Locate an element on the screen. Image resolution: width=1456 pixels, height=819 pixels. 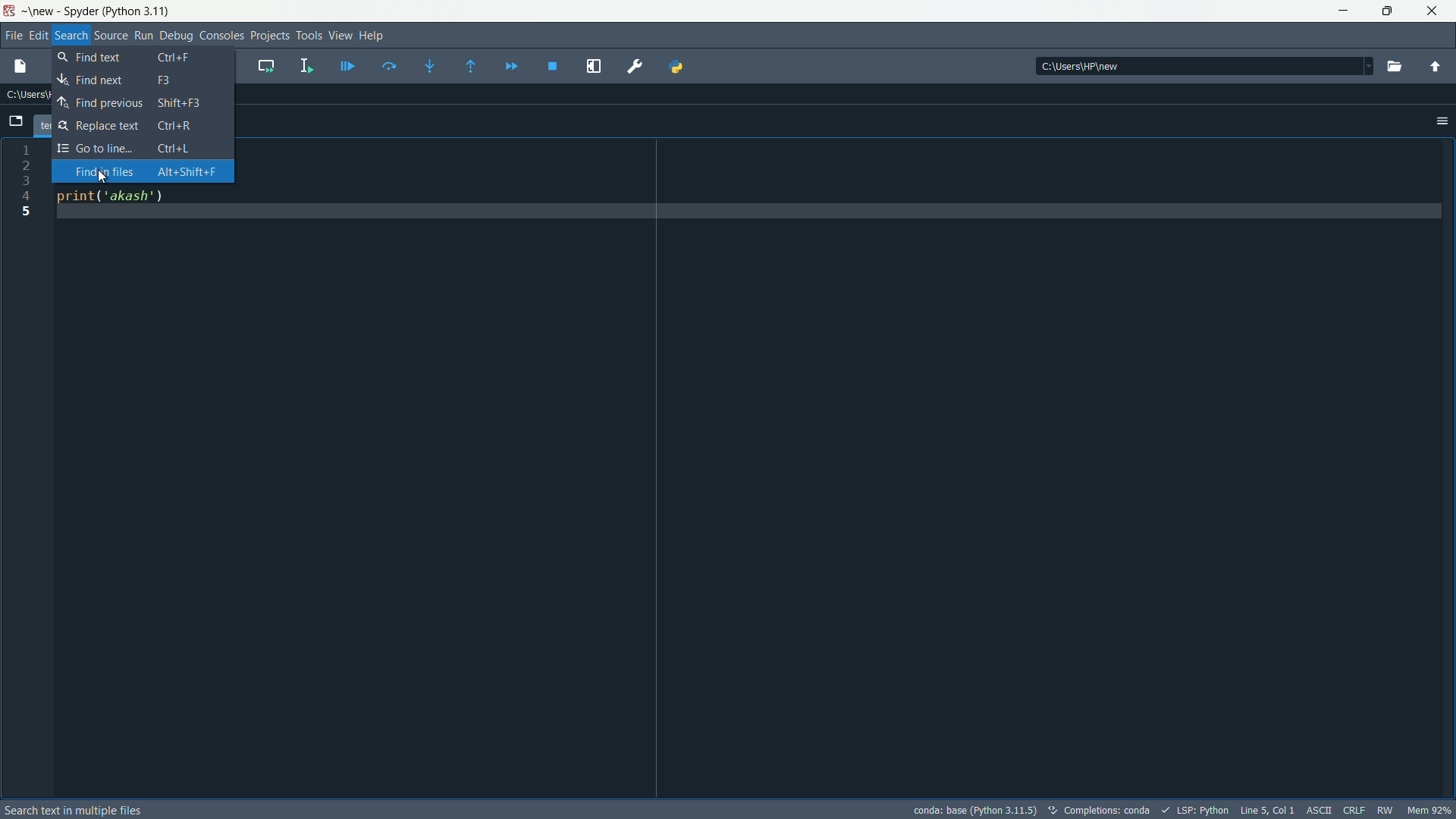
close app is located at coordinates (1432, 11).